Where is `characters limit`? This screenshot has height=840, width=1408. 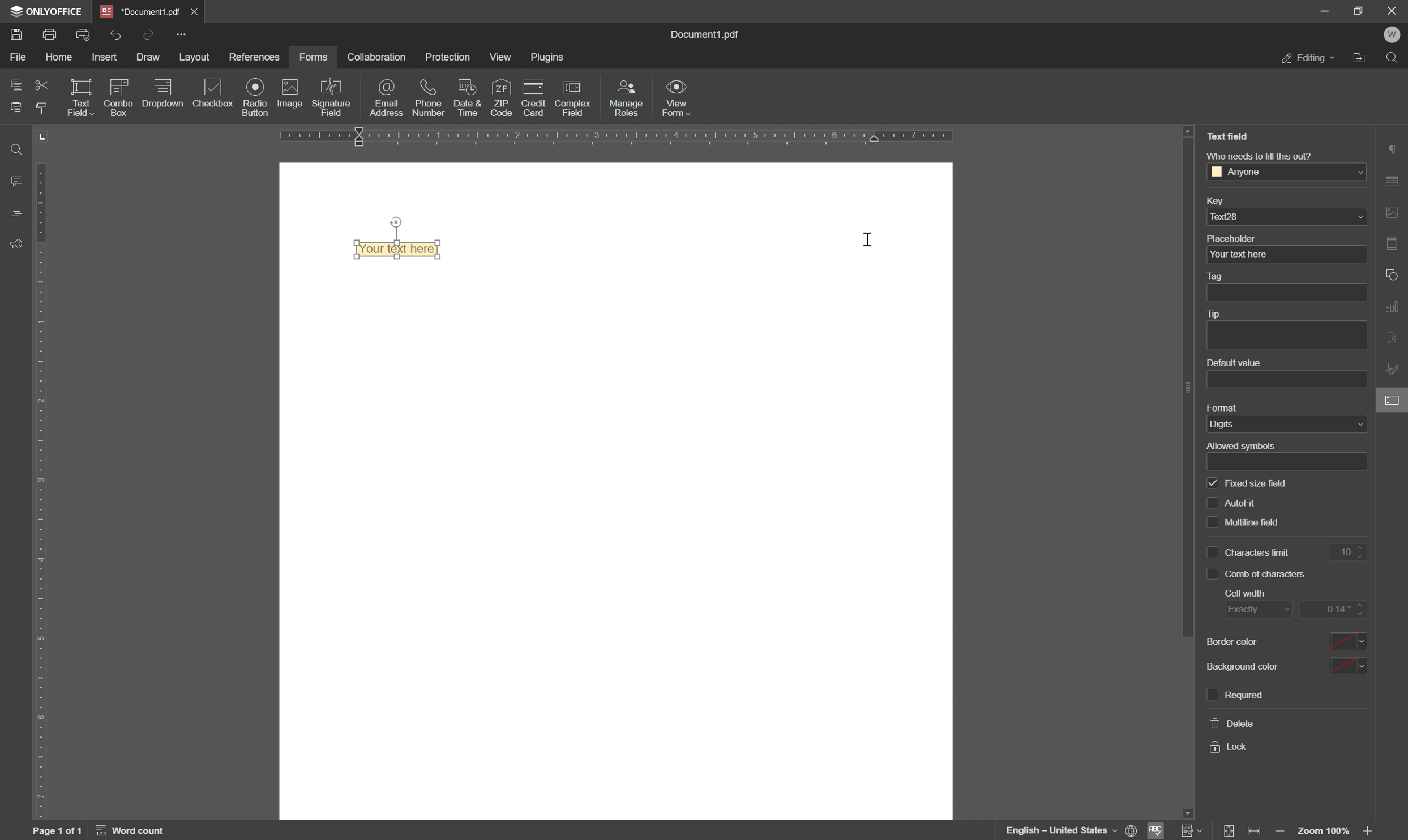 characters limit is located at coordinates (1249, 552).